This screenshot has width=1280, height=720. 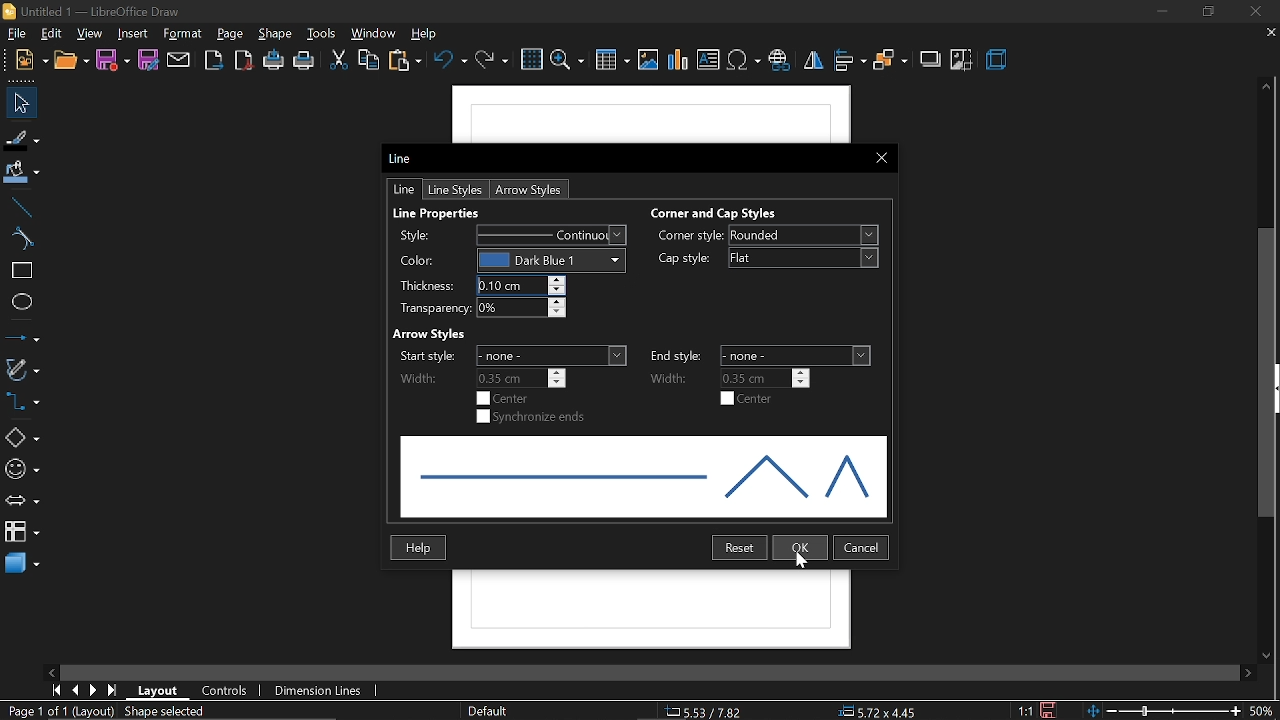 I want to click on Current window, so click(x=403, y=157).